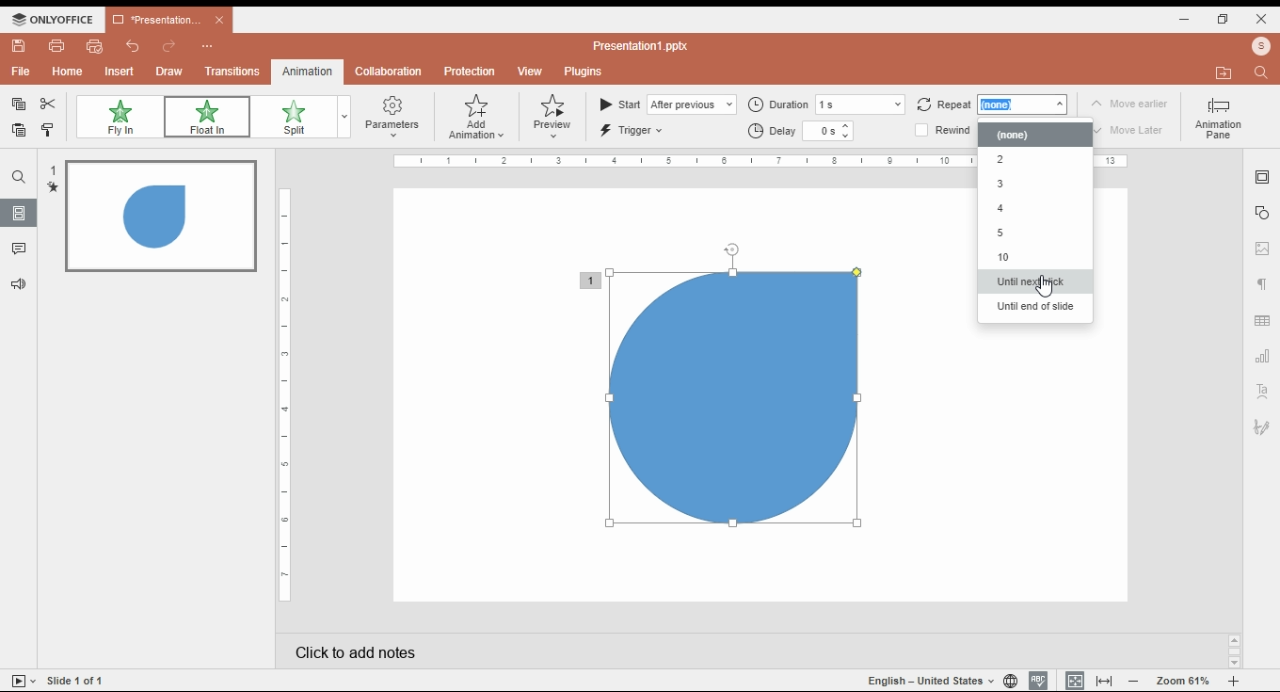 Image resolution: width=1280 pixels, height=692 pixels. I want to click on zoom 61%, so click(1184, 681).